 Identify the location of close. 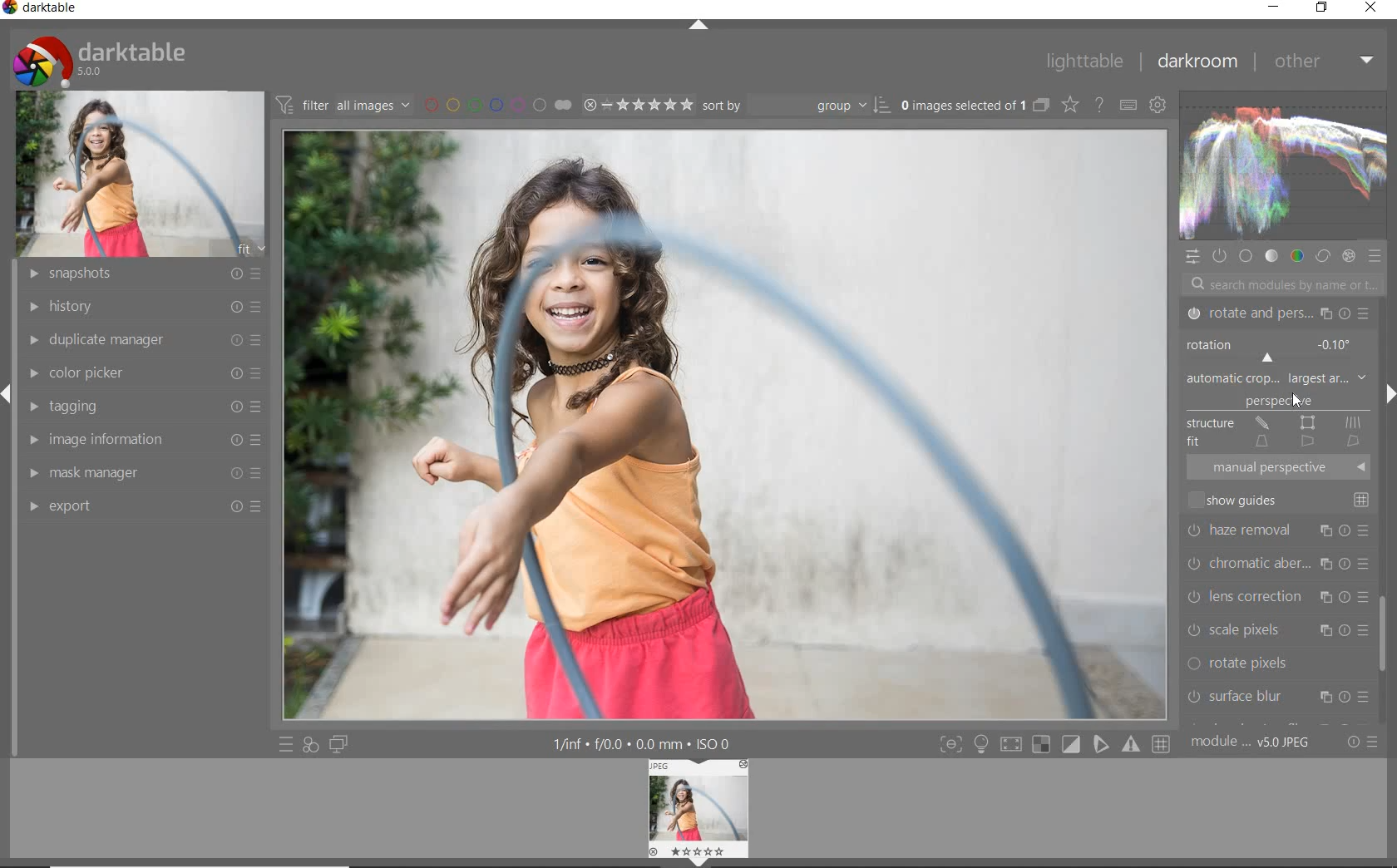
(1372, 7).